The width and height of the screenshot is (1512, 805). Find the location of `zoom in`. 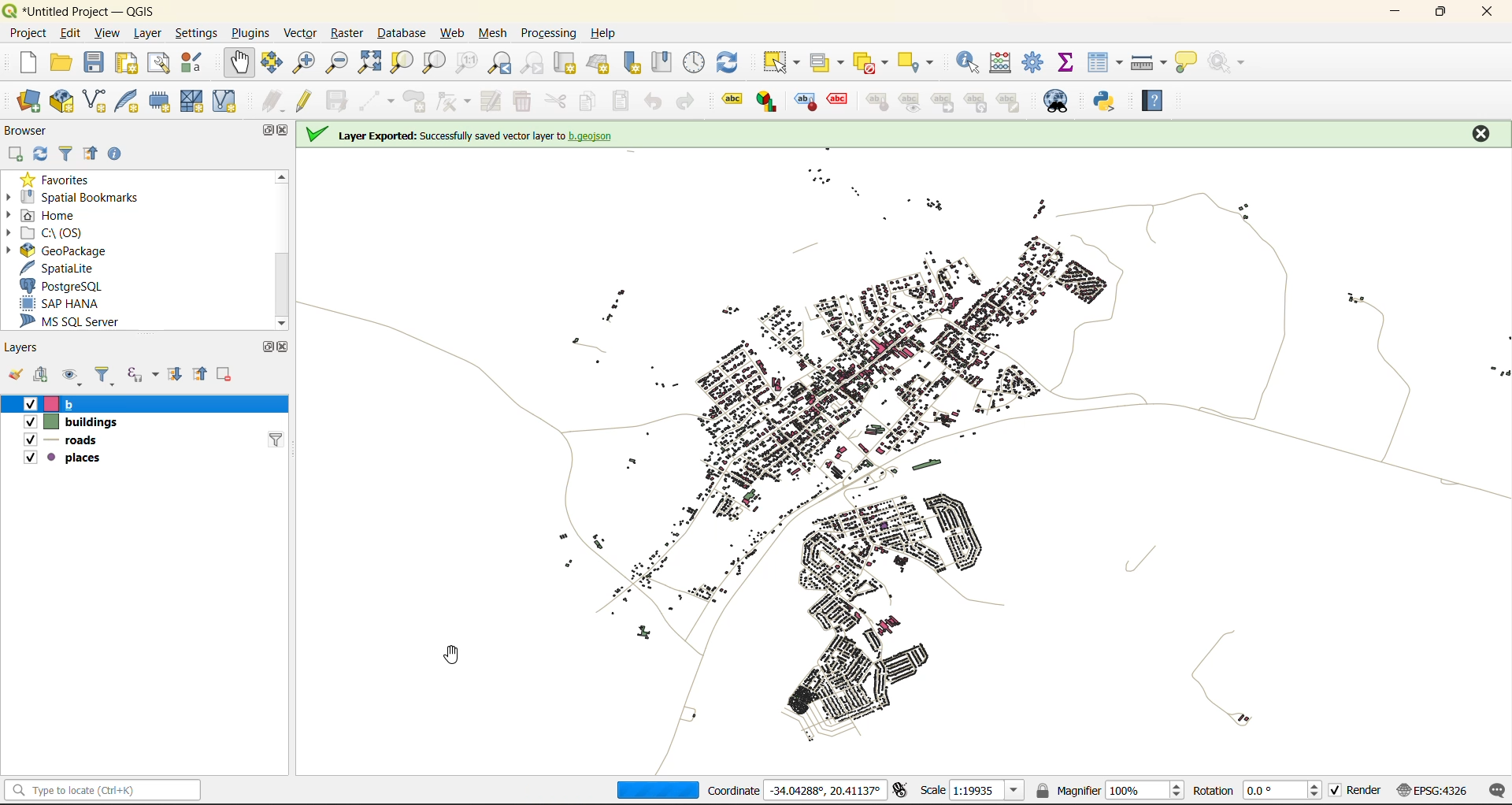

zoom in is located at coordinates (302, 65).